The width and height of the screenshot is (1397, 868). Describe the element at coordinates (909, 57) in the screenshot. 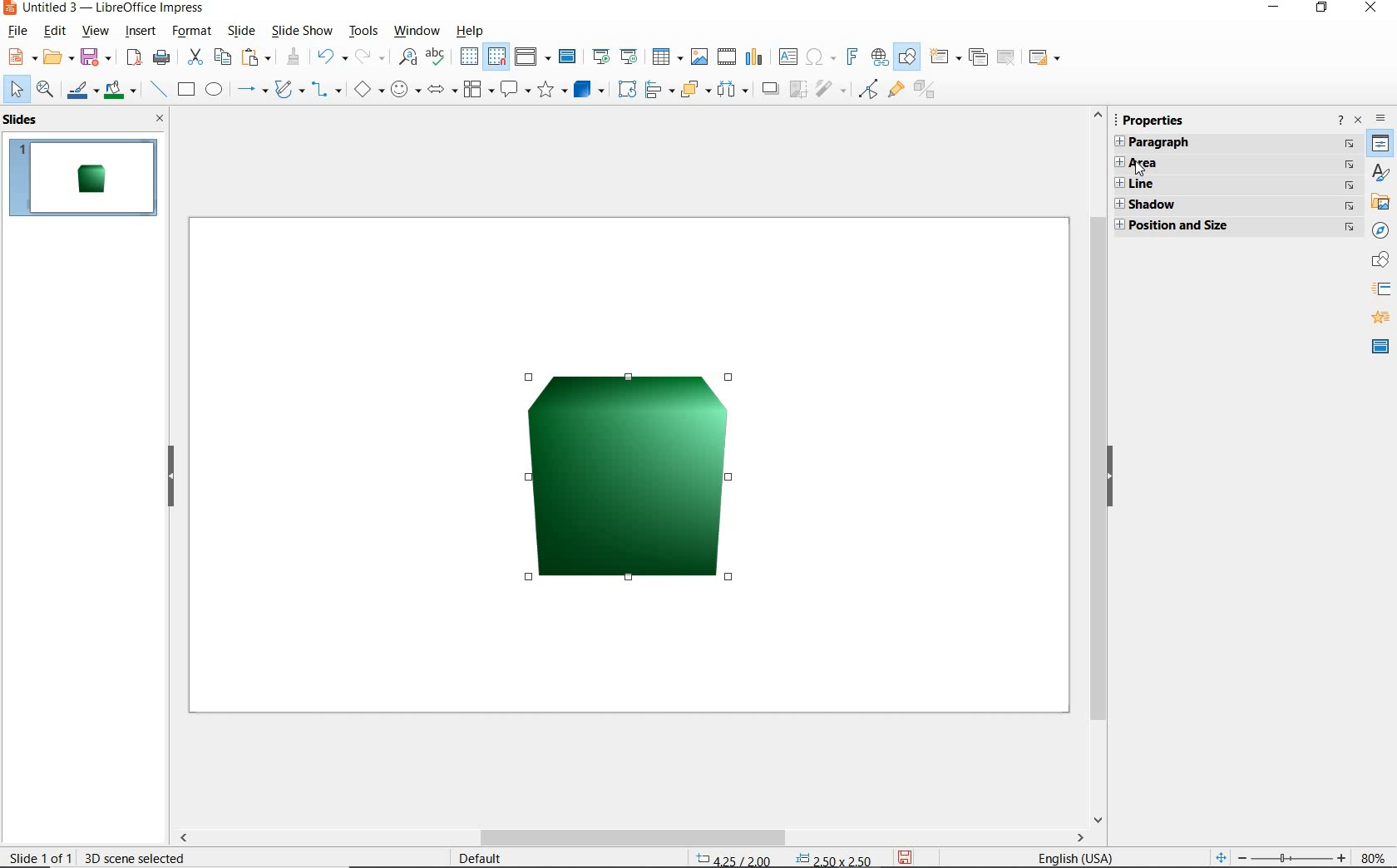

I see `show draw functions` at that location.